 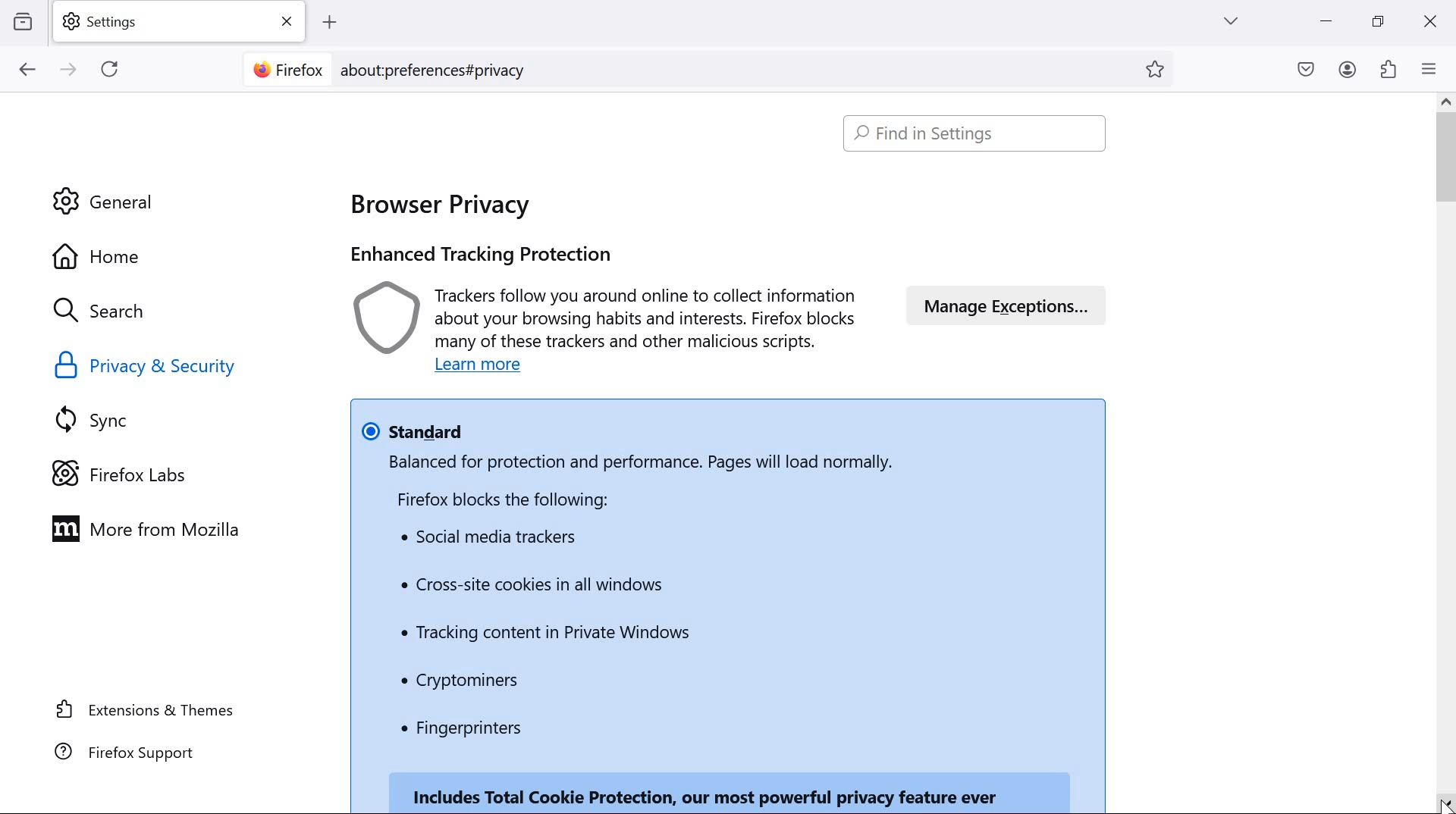 I want to click on settings, so click(x=183, y=22).